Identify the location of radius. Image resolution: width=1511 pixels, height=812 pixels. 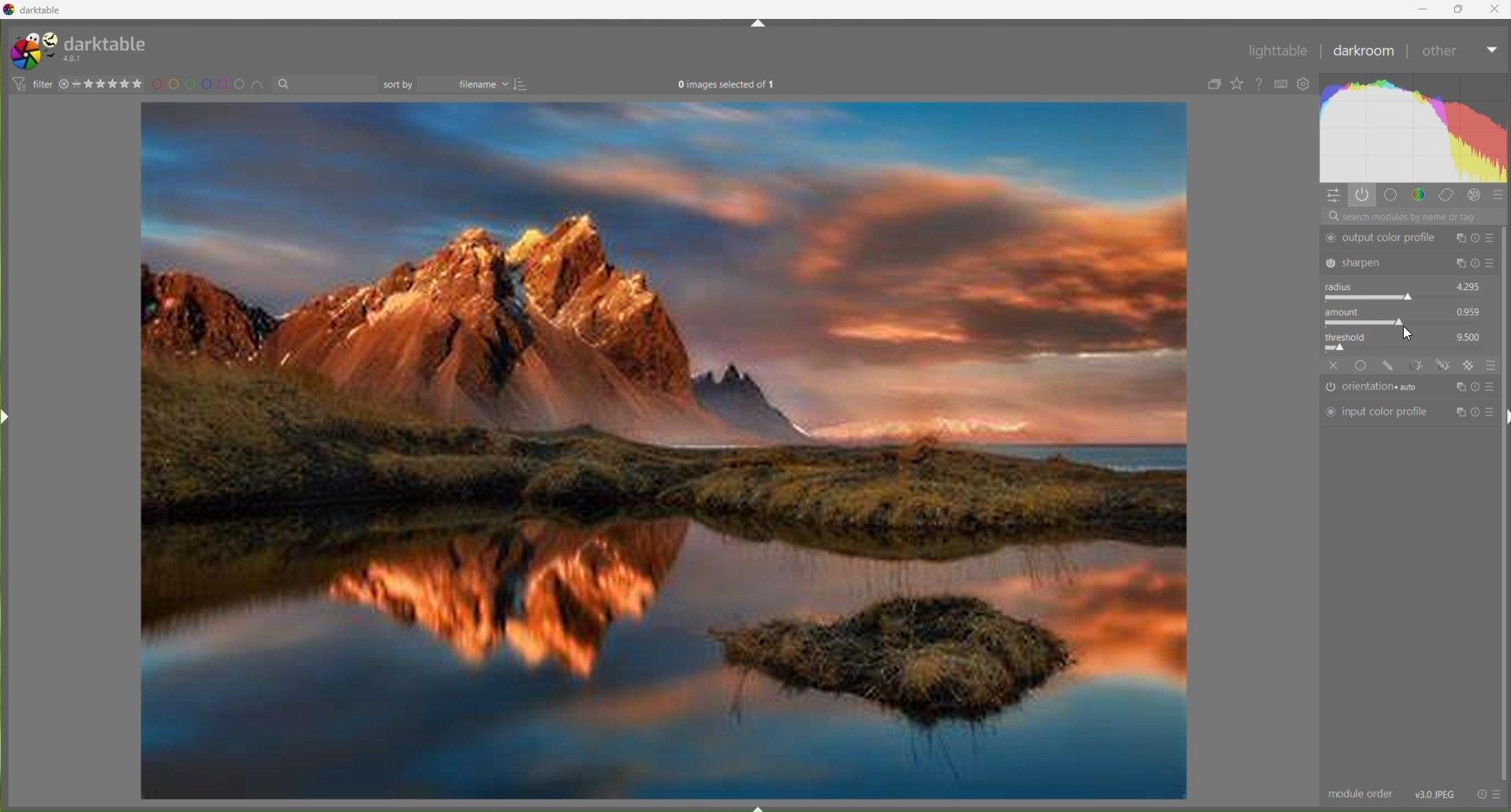
(1343, 286).